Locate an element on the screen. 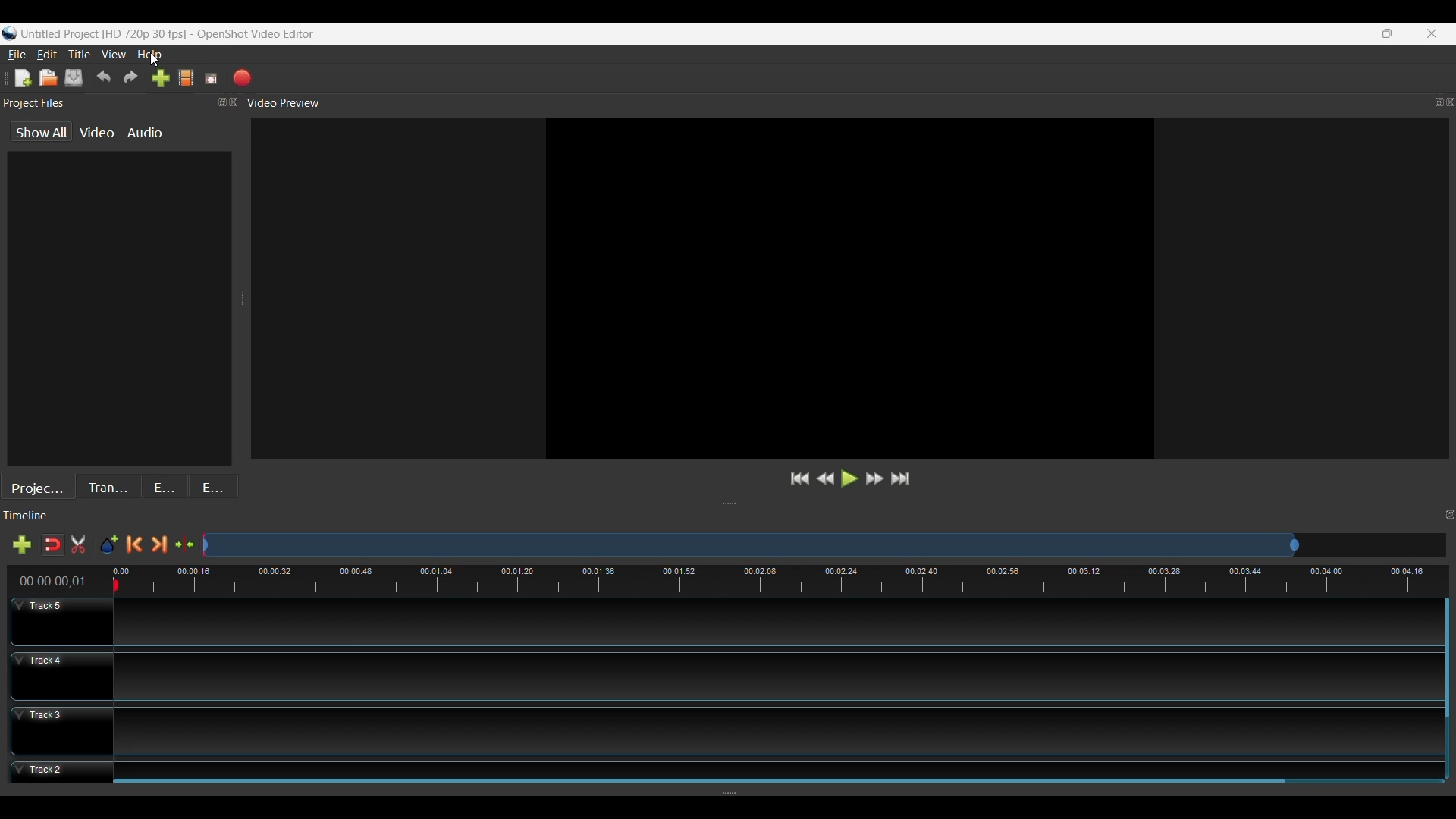  Razor is located at coordinates (52, 544).